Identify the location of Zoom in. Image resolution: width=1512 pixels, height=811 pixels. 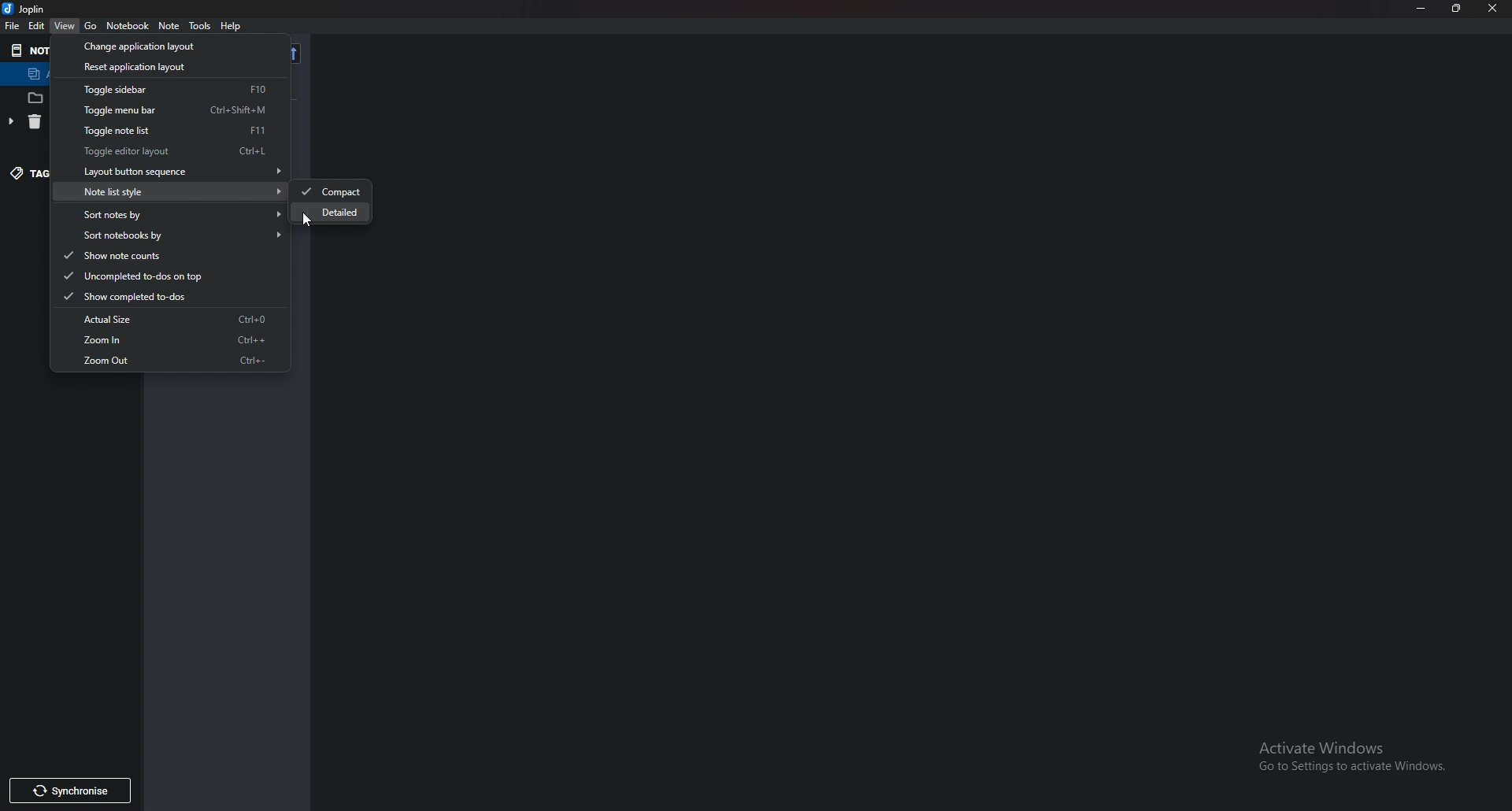
(167, 340).